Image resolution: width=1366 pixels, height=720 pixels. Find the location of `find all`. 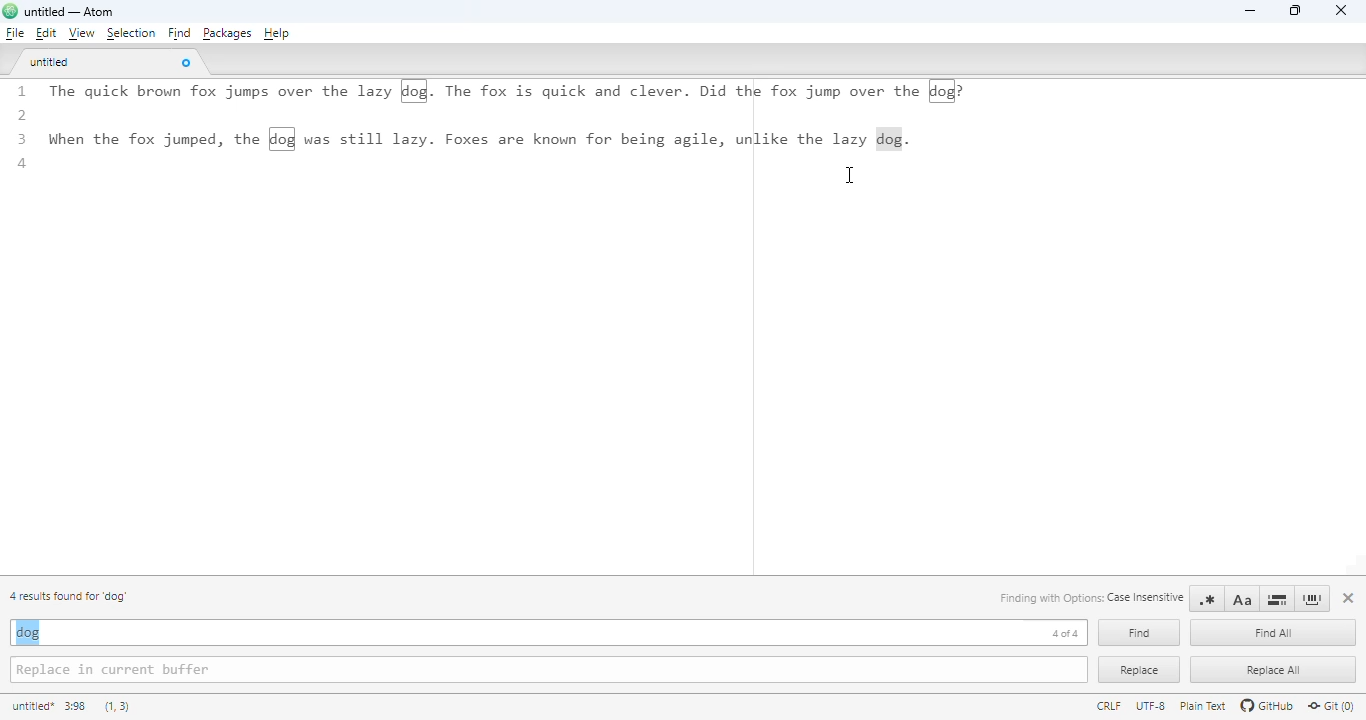

find all is located at coordinates (1274, 633).